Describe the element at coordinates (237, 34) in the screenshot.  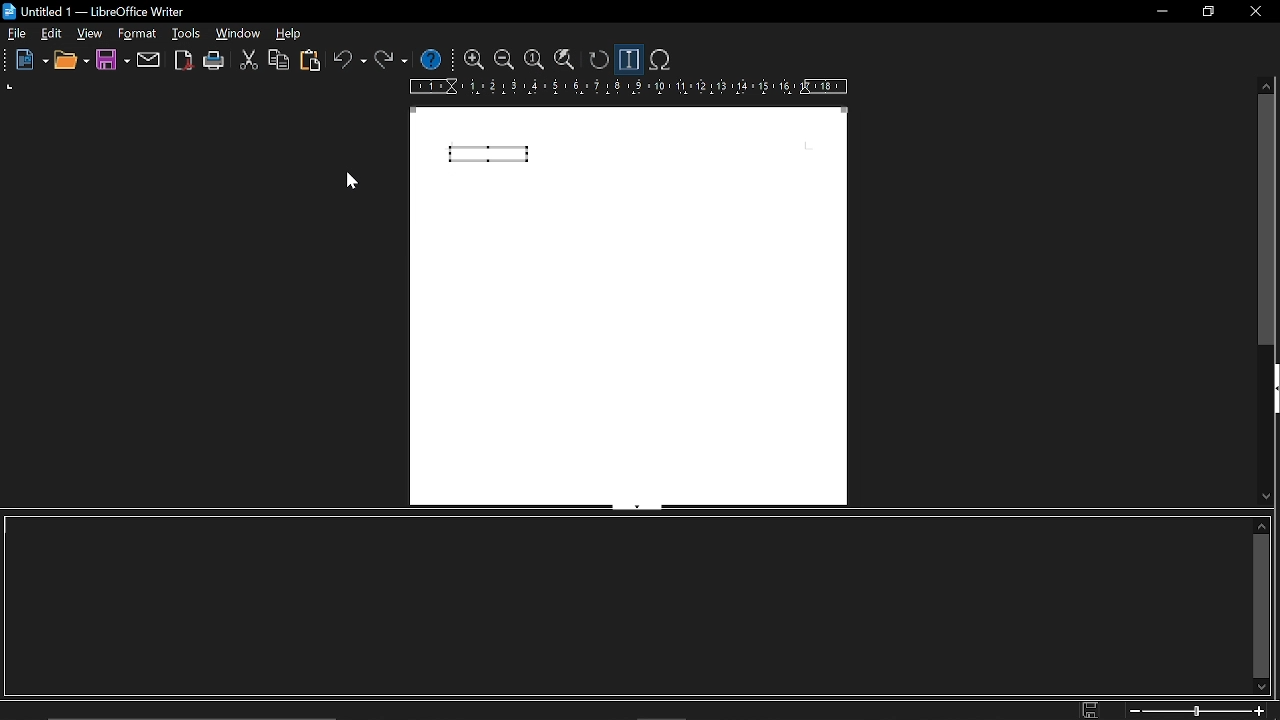
I see `styles` at that location.